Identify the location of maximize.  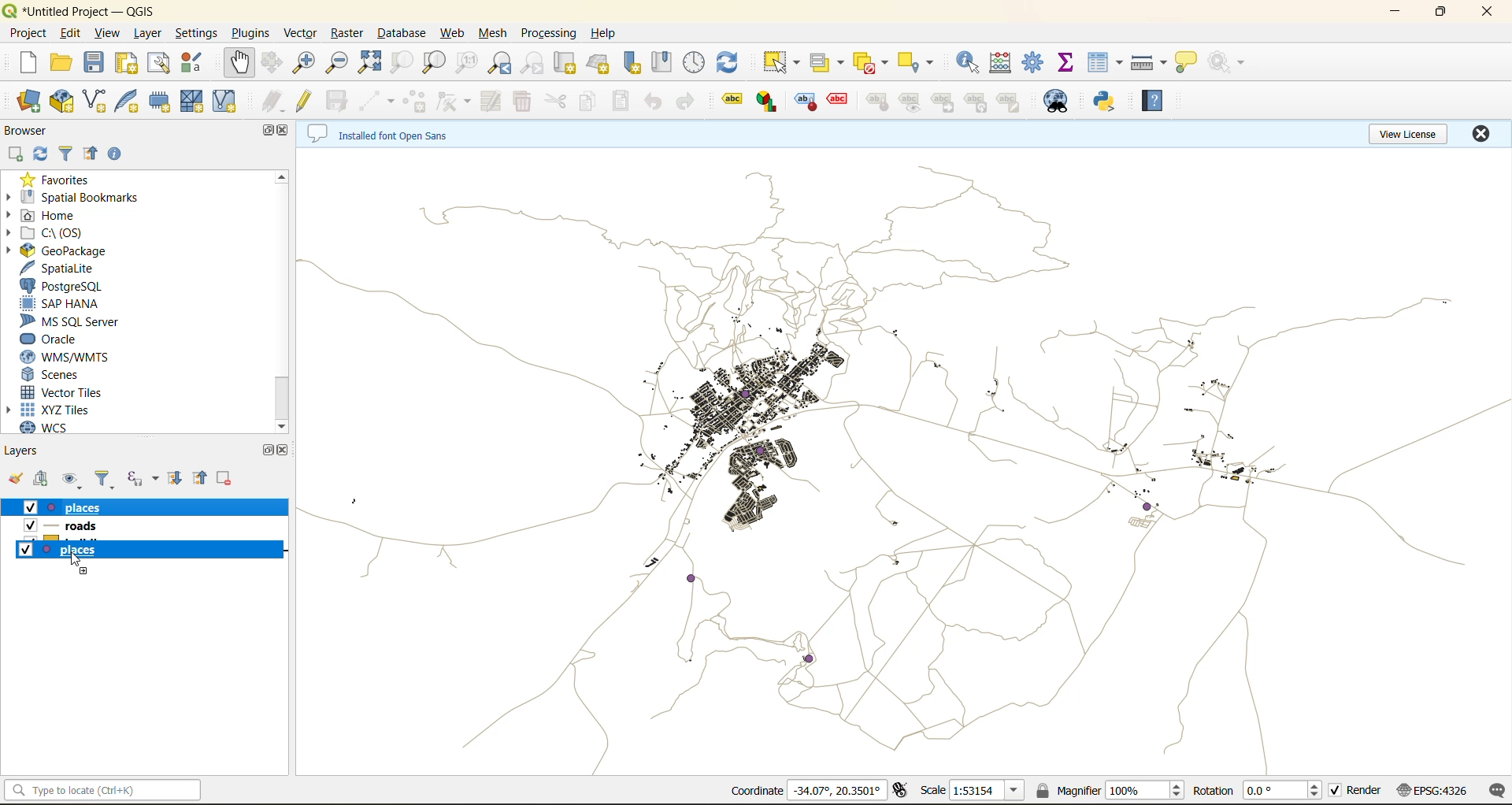
(1442, 13).